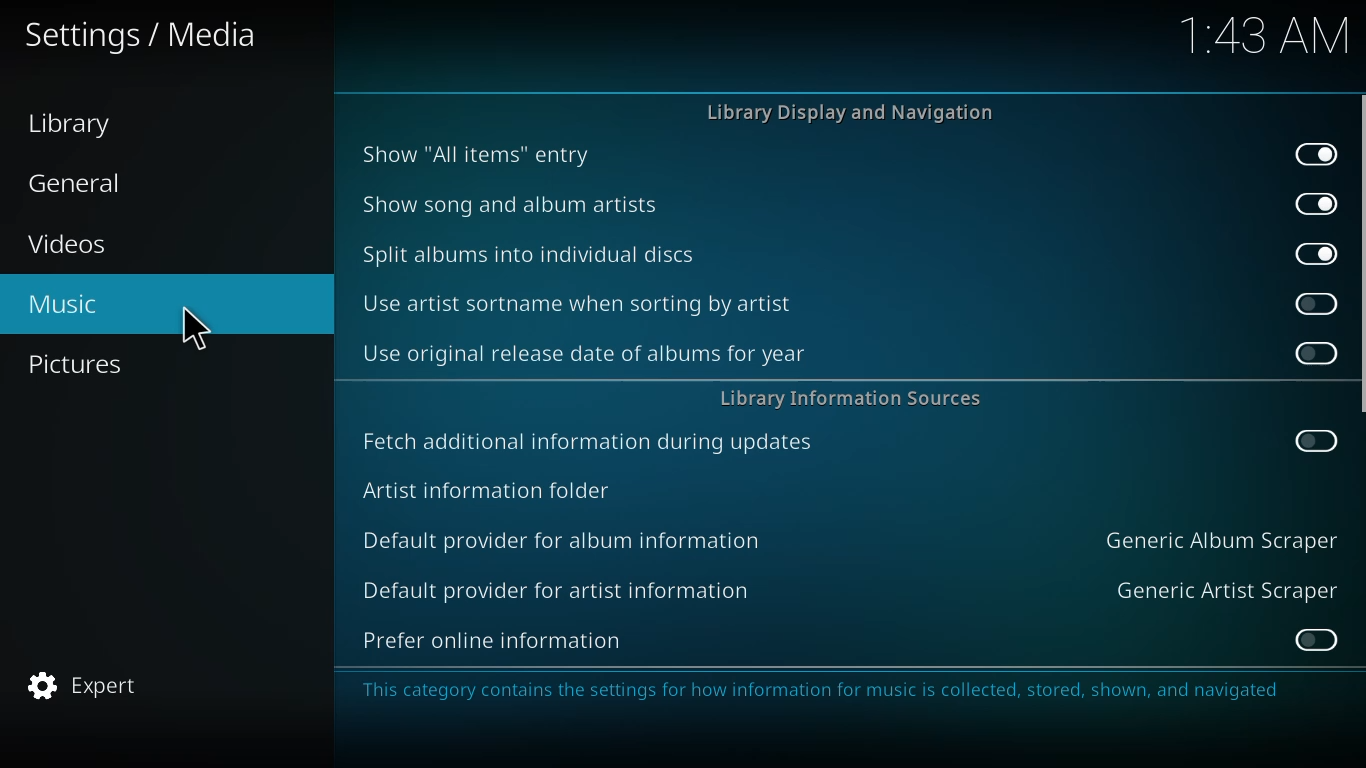  What do you see at coordinates (475, 152) in the screenshot?
I see `show all items` at bounding box center [475, 152].